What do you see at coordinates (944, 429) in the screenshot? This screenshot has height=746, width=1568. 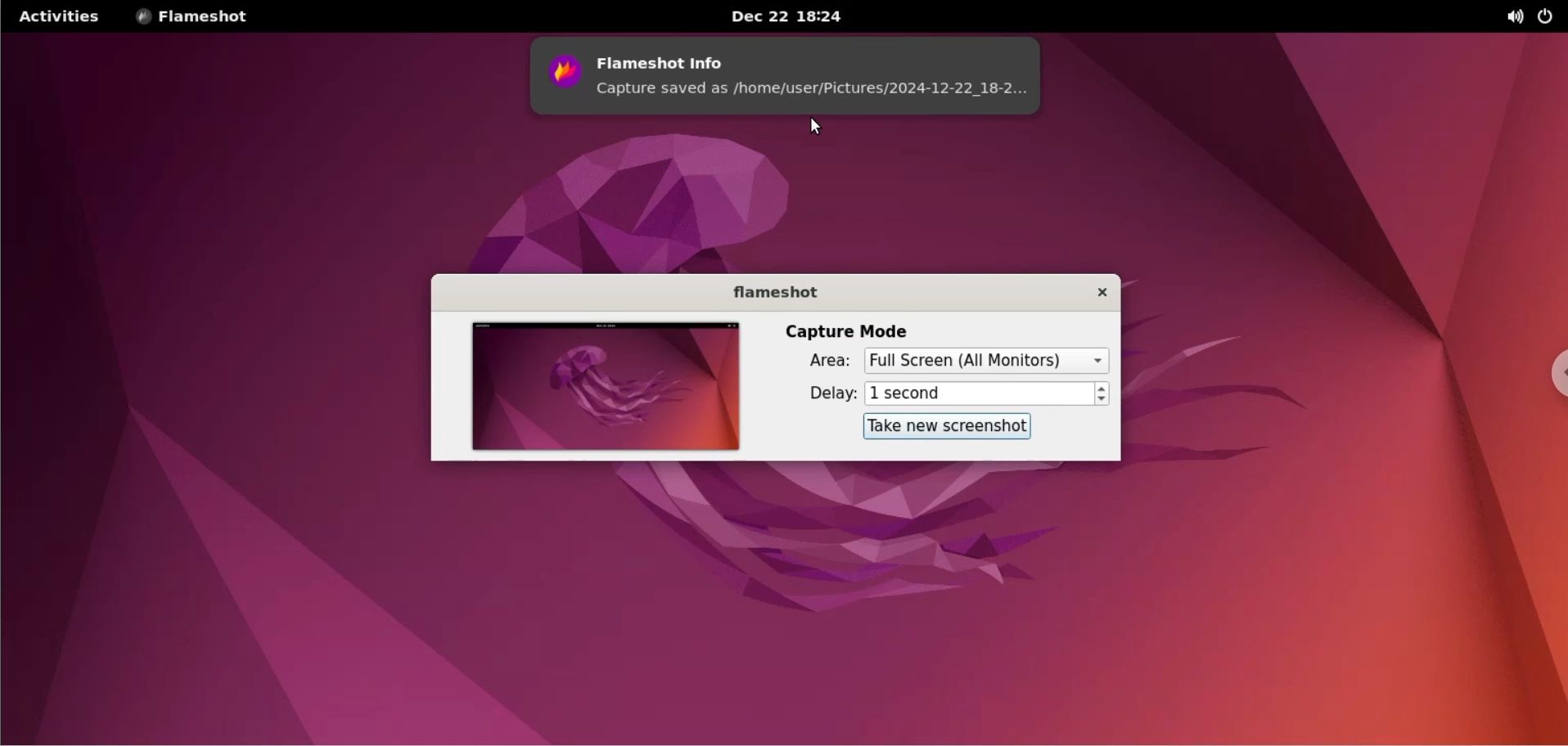 I see `take new screenshot` at bounding box center [944, 429].